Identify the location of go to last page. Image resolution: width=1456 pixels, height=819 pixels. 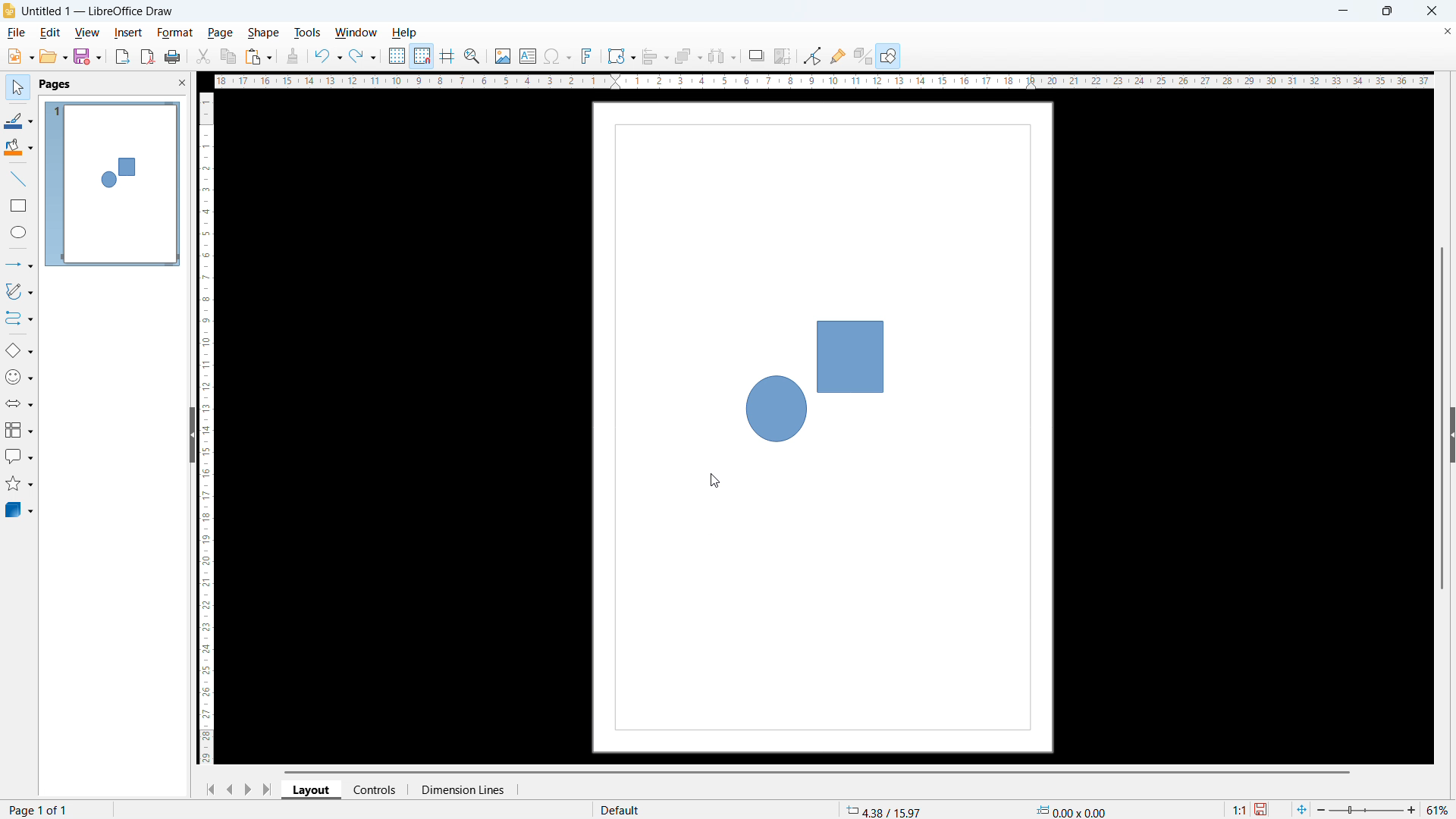
(270, 790).